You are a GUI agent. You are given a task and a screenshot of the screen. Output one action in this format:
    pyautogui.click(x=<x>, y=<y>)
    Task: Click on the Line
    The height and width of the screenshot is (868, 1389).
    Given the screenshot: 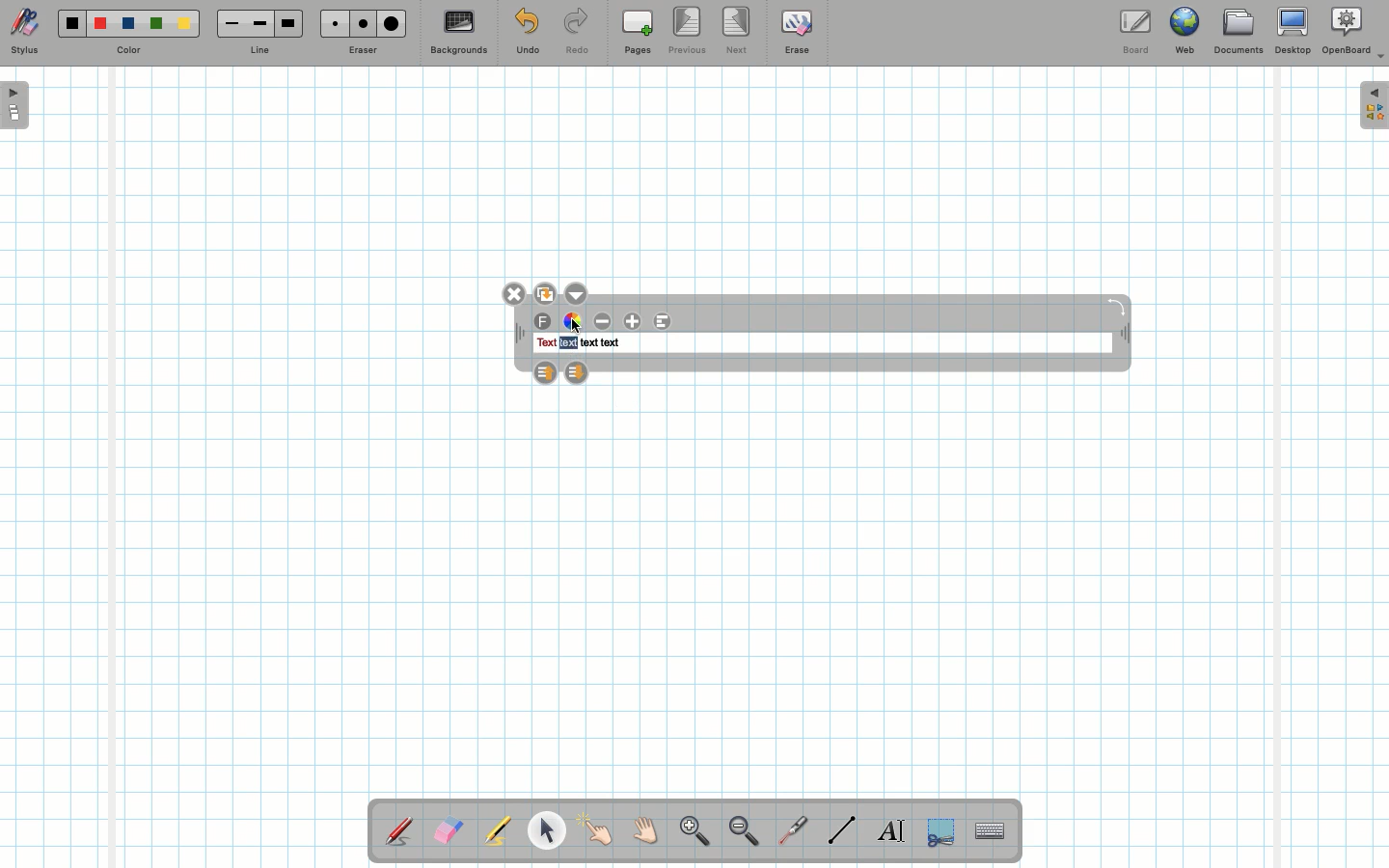 What is the action you would take?
    pyautogui.click(x=259, y=51)
    